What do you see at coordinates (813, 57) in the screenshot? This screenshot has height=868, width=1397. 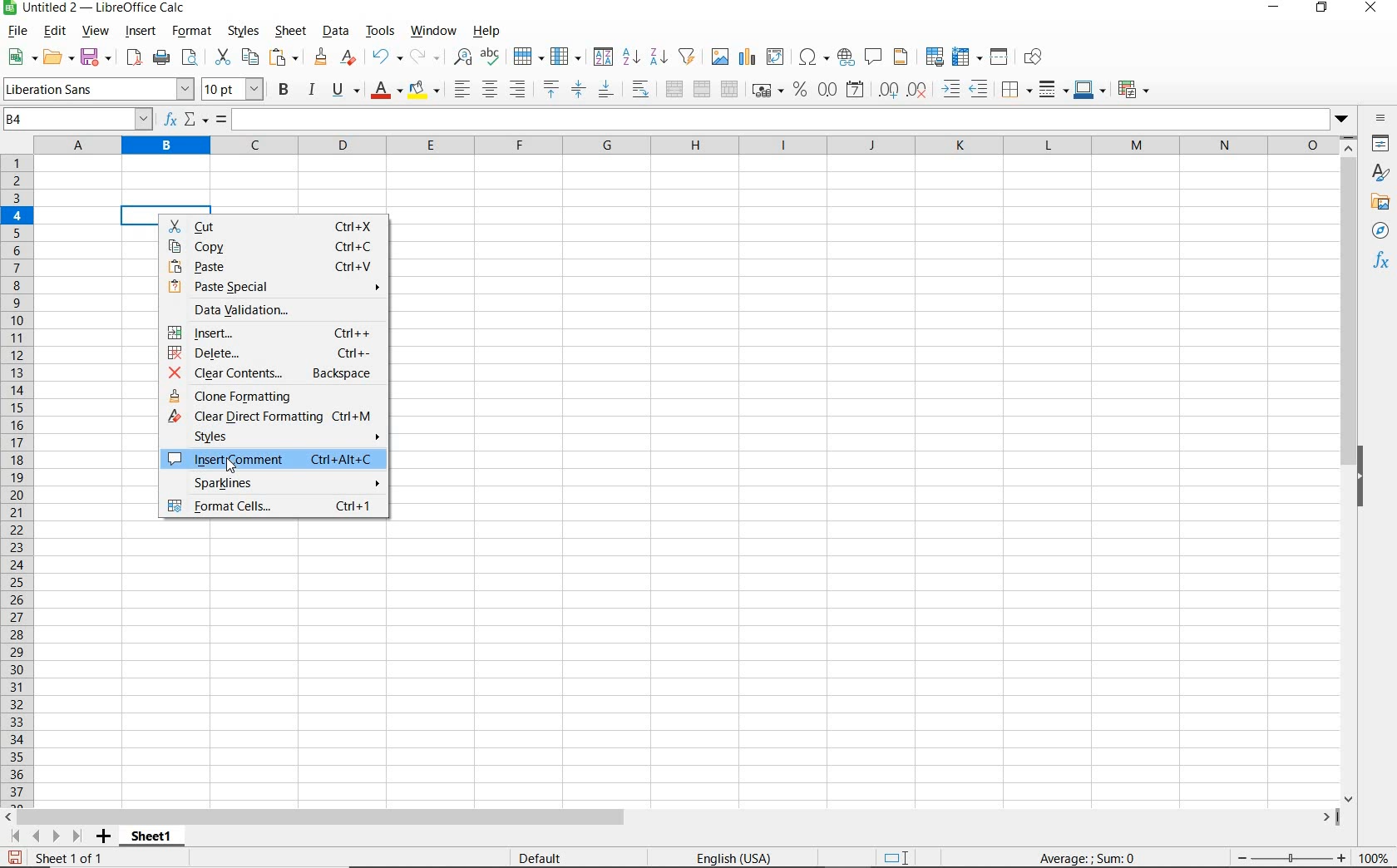 I see `insert special charaacters` at bounding box center [813, 57].